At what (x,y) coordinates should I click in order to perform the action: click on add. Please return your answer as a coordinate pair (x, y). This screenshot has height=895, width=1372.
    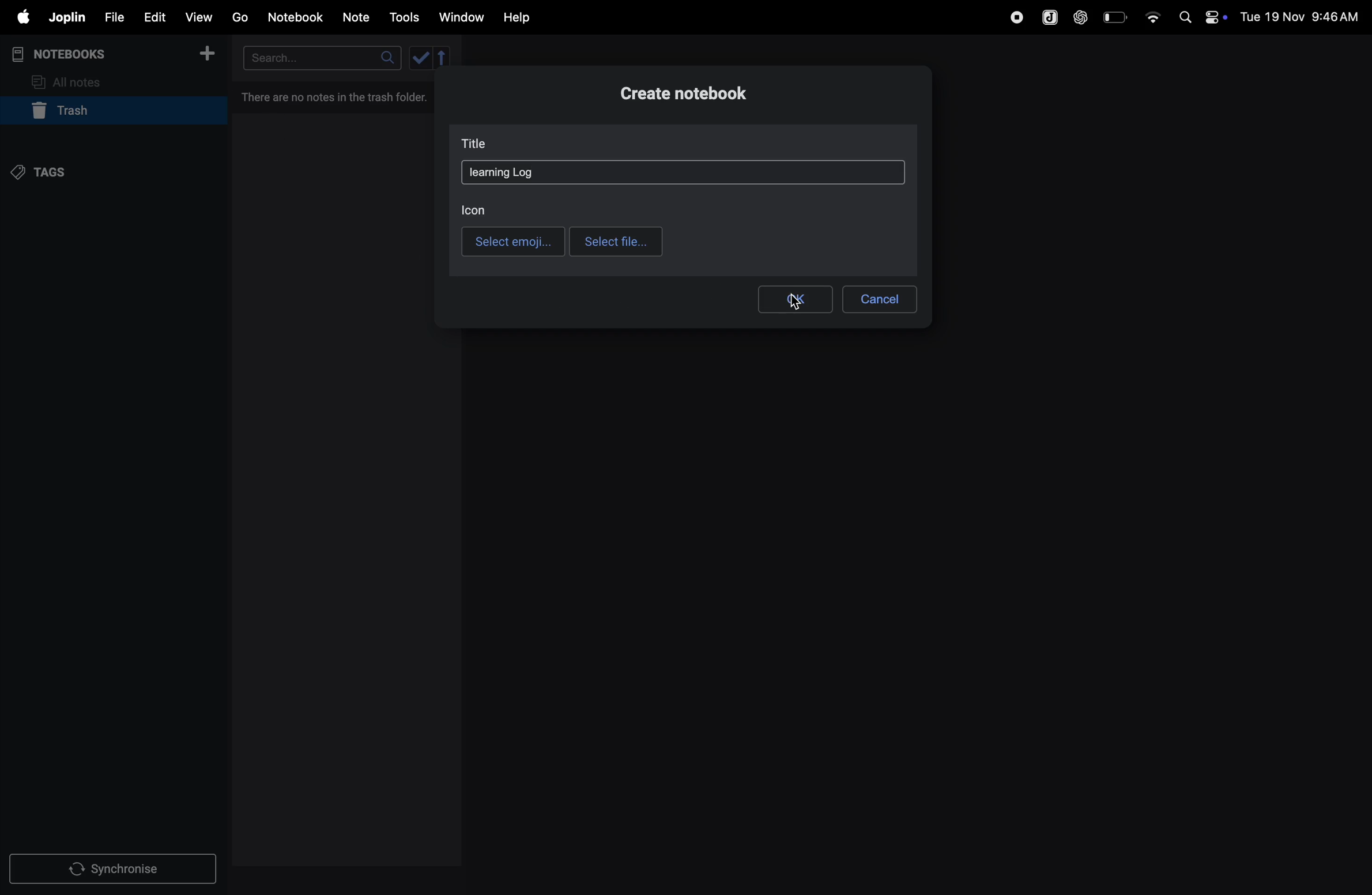
    Looking at the image, I should click on (208, 57).